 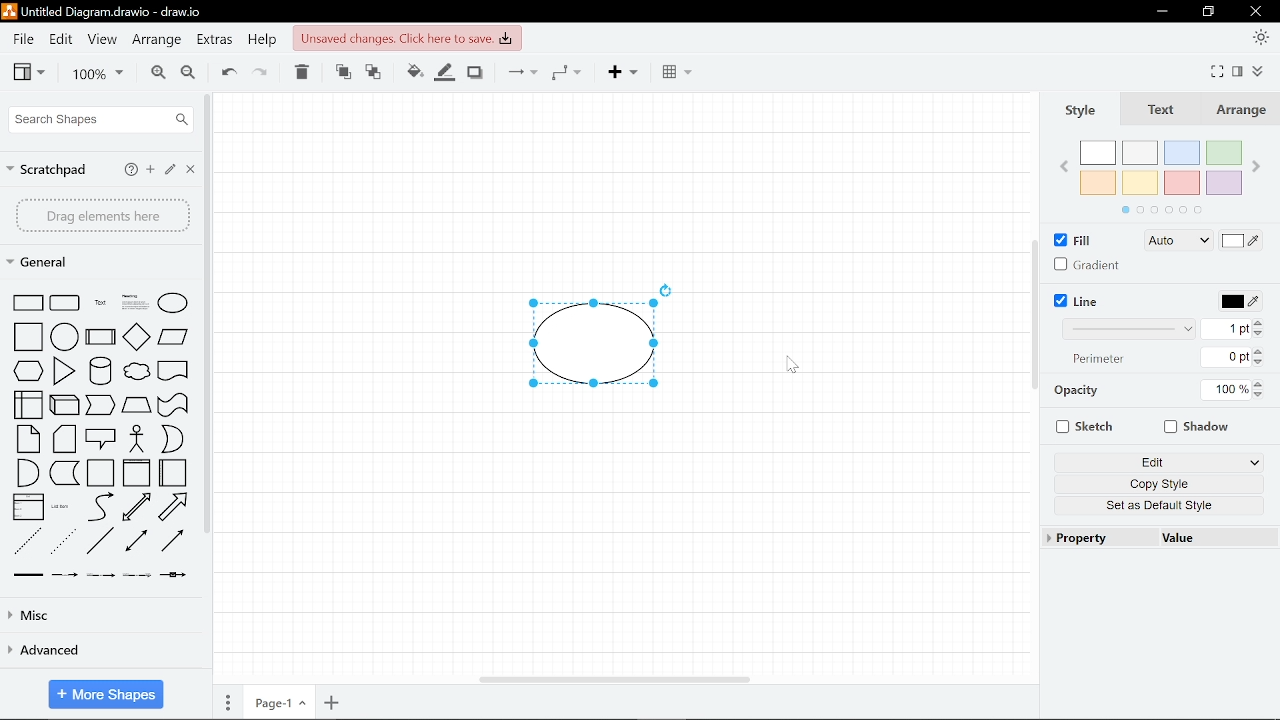 I want to click on Close, so click(x=189, y=168).